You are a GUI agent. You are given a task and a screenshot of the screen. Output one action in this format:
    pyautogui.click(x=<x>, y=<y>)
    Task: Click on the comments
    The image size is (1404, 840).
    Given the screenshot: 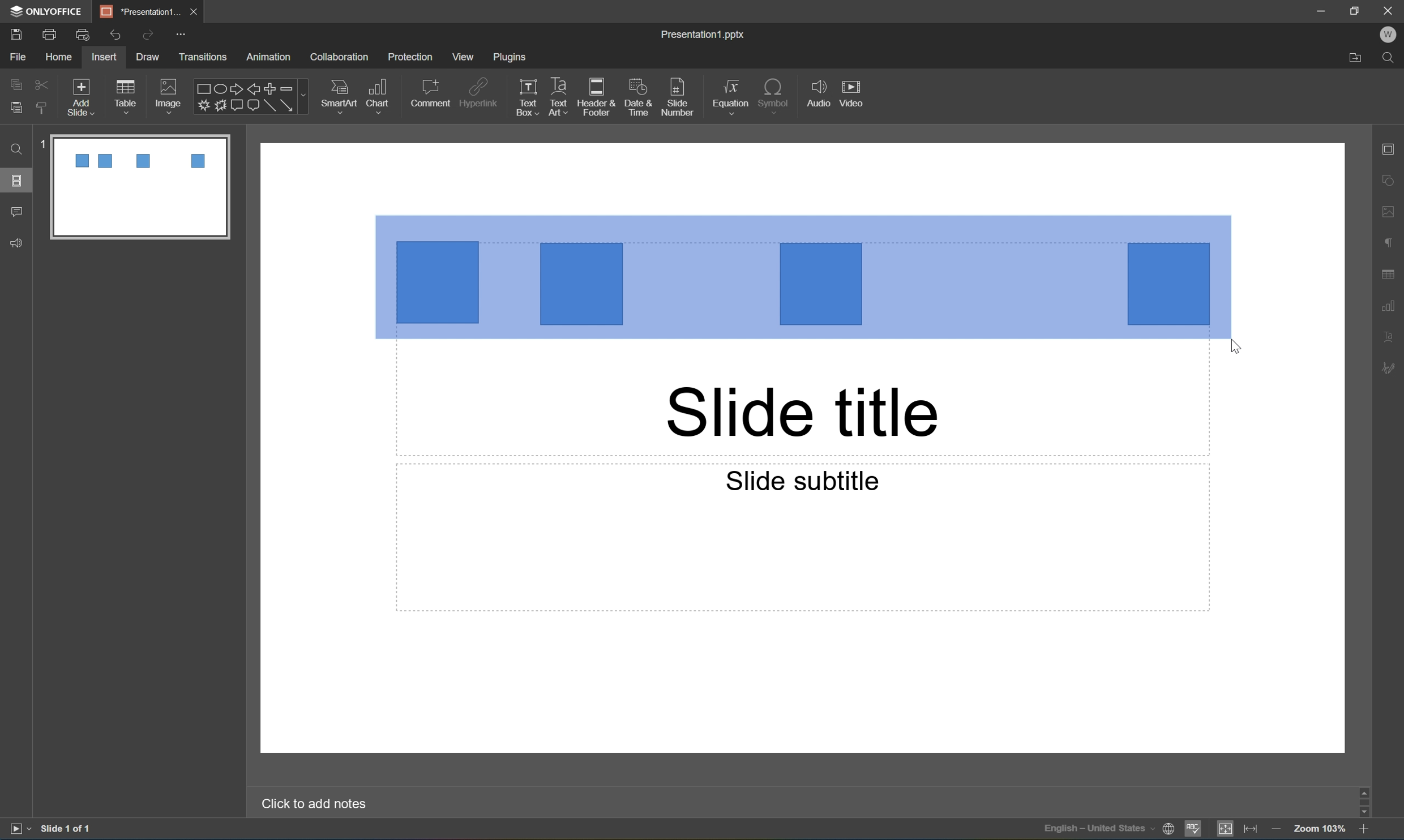 What is the action you would take?
    pyautogui.click(x=16, y=212)
    